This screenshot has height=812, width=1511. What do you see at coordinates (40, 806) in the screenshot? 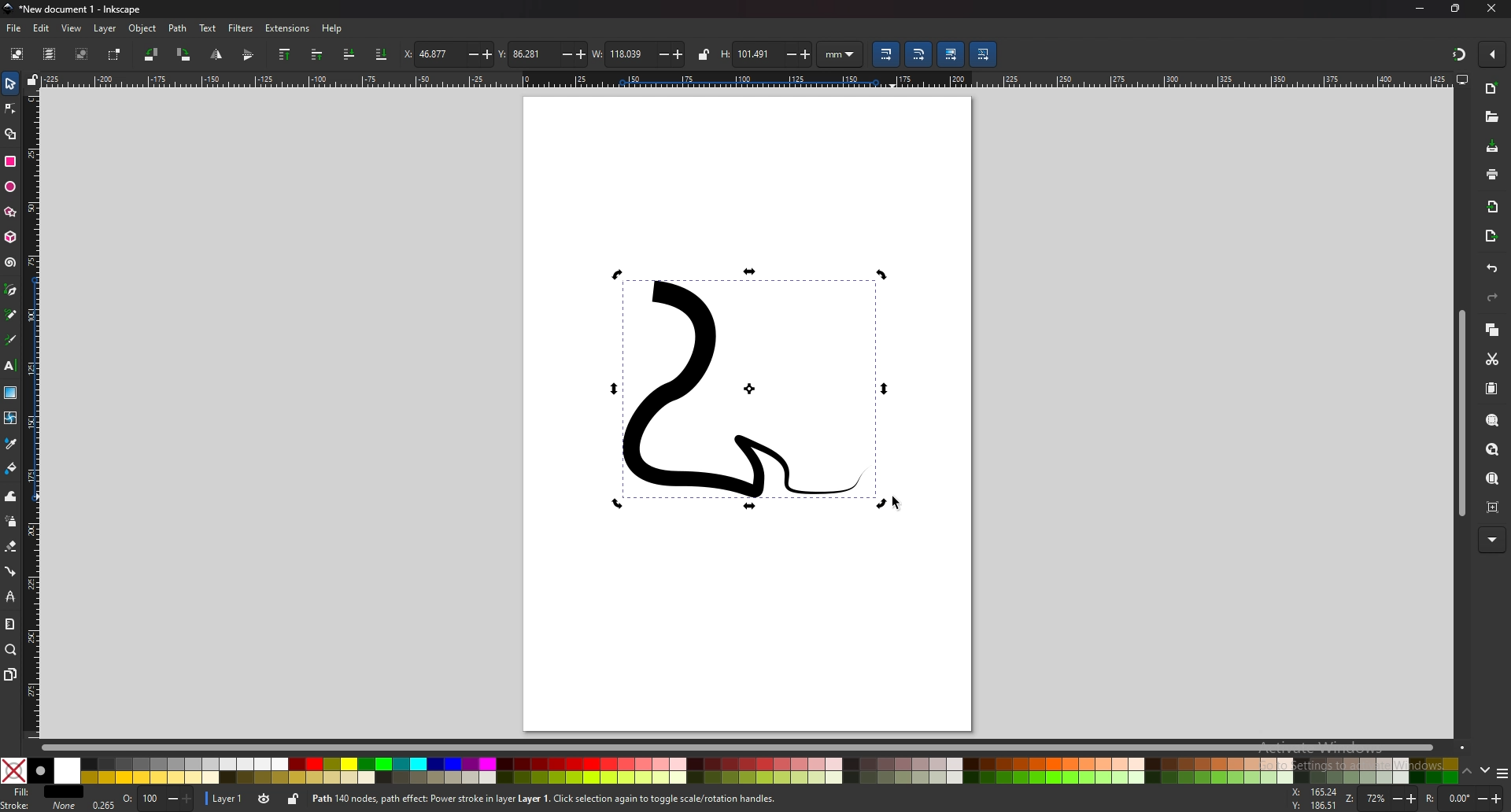
I see `stroke` at bounding box center [40, 806].